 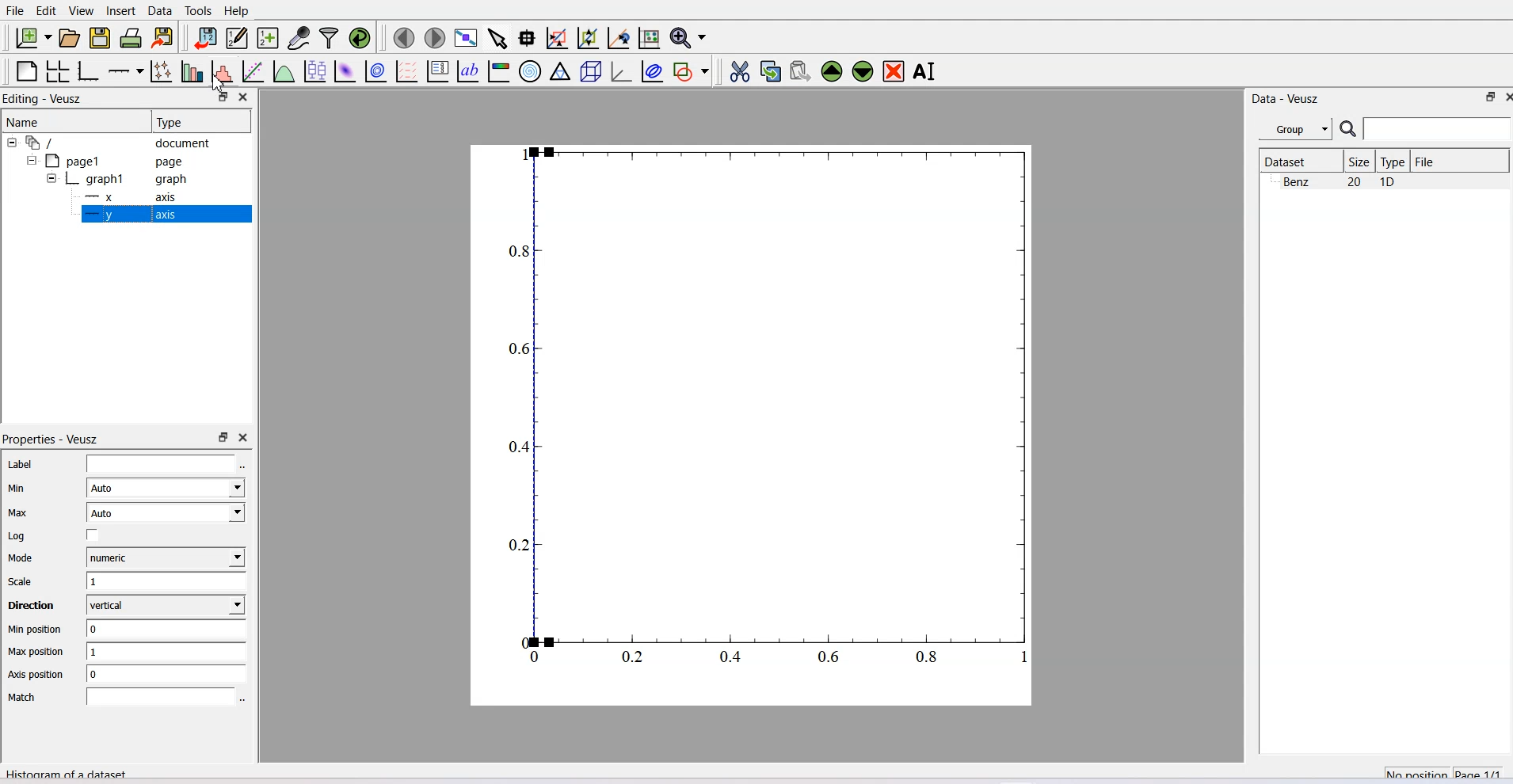 What do you see at coordinates (74, 121) in the screenshot?
I see `Name` at bounding box center [74, 121].